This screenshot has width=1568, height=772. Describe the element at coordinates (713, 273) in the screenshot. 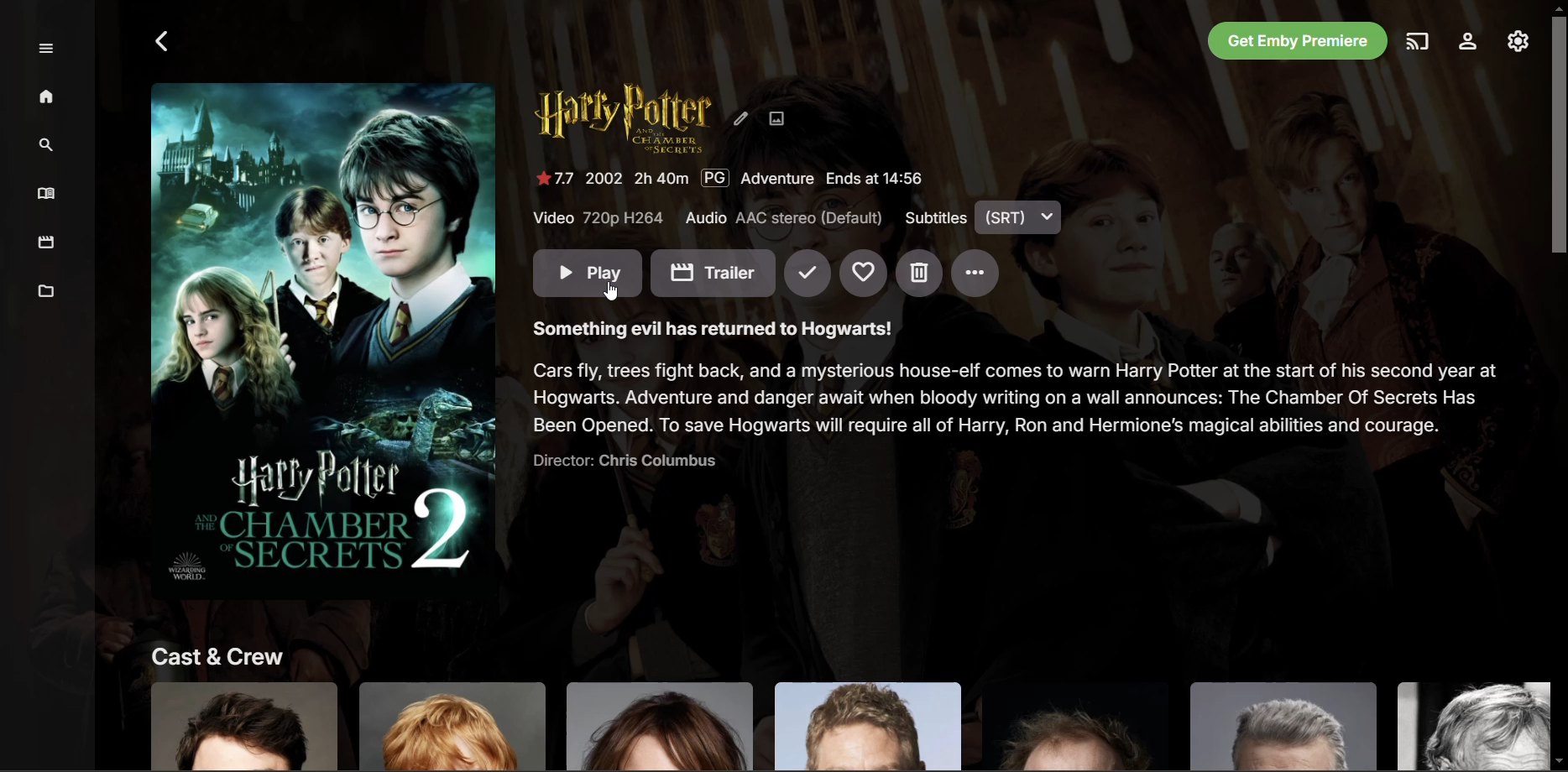

I see `Trailer` at that location.